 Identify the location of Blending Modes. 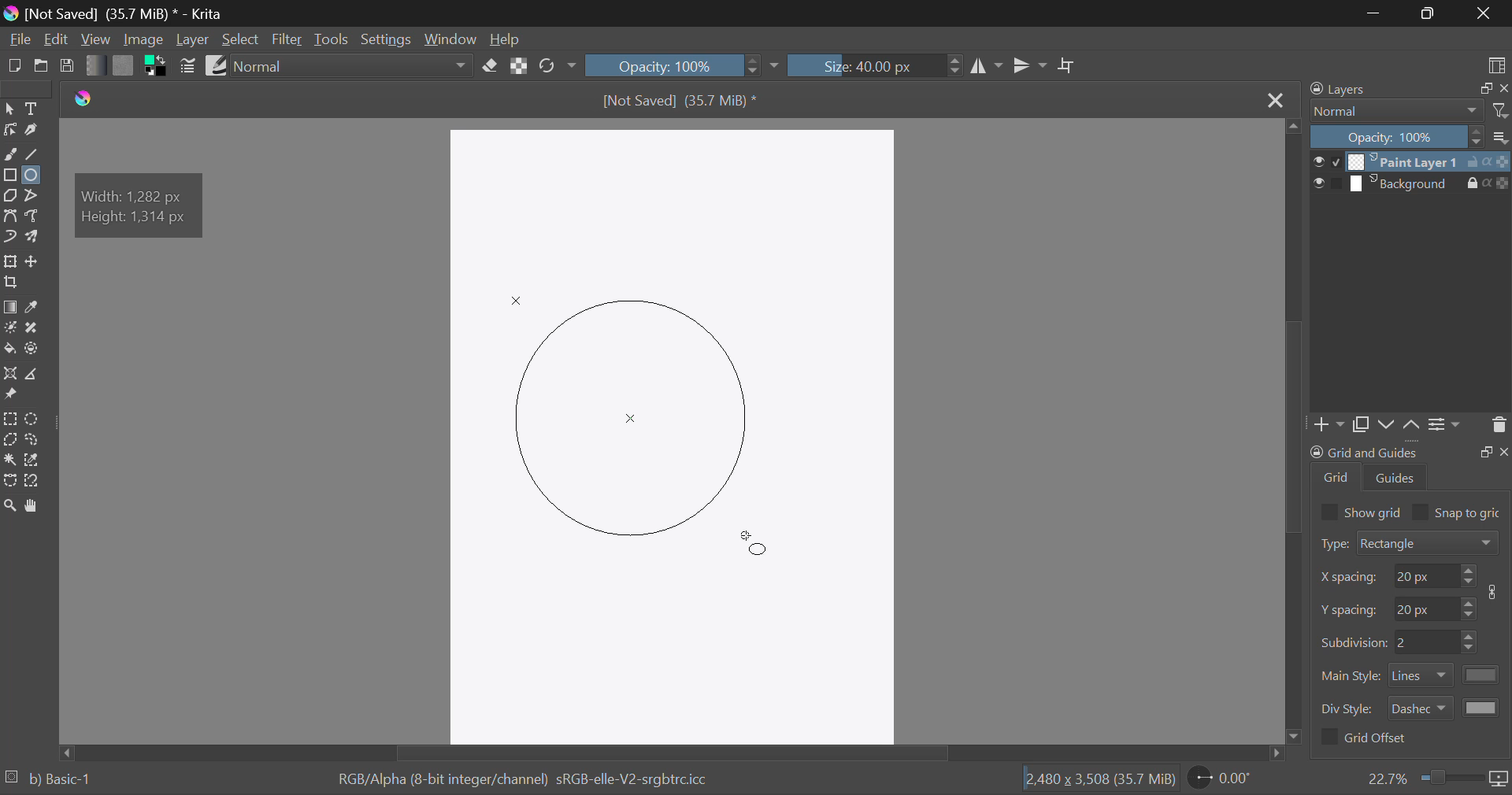
(1409, 112).